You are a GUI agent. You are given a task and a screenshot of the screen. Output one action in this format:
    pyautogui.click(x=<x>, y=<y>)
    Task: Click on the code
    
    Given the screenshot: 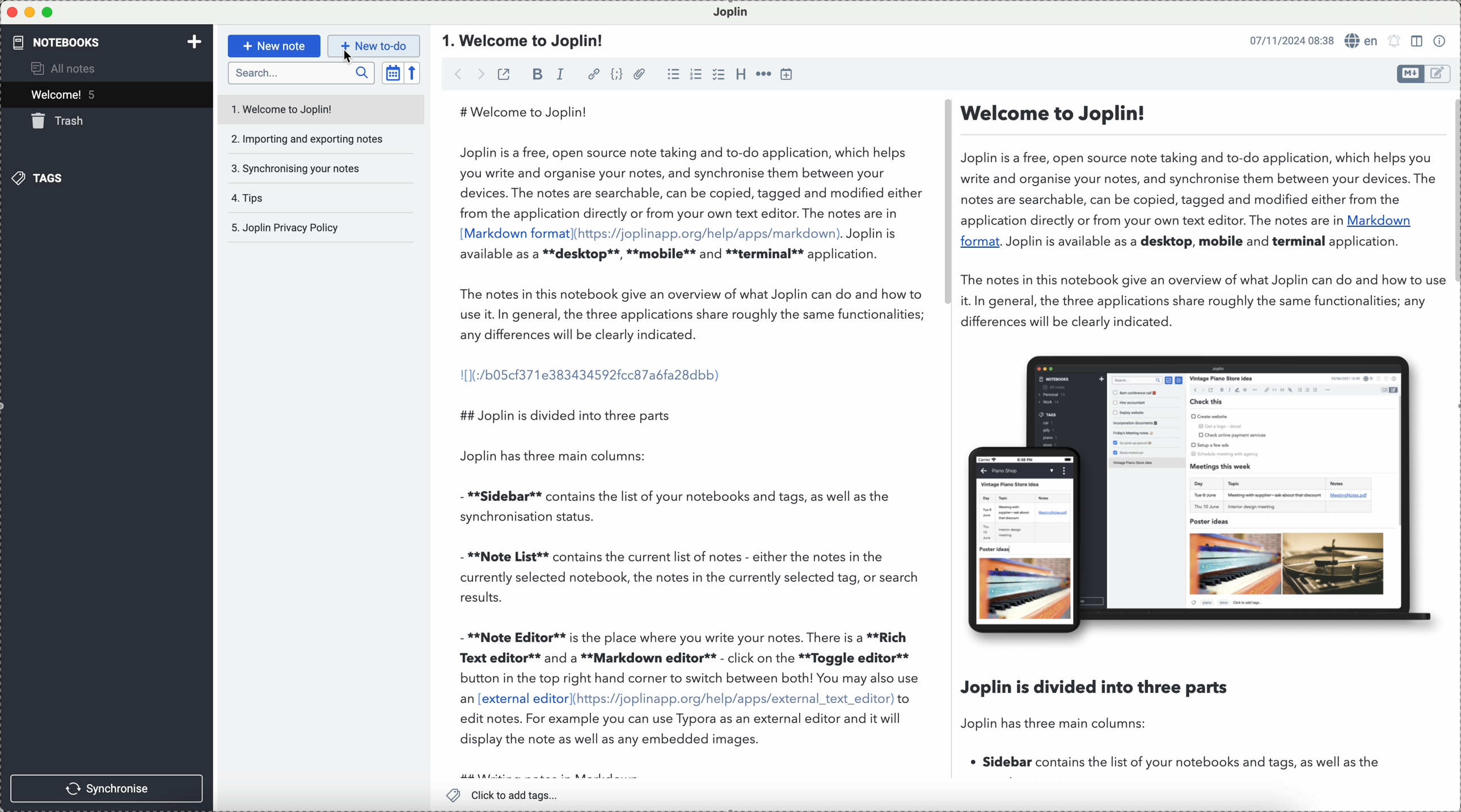 What is the action you would take?
    pyautogui.click(x=617, y=74)
    